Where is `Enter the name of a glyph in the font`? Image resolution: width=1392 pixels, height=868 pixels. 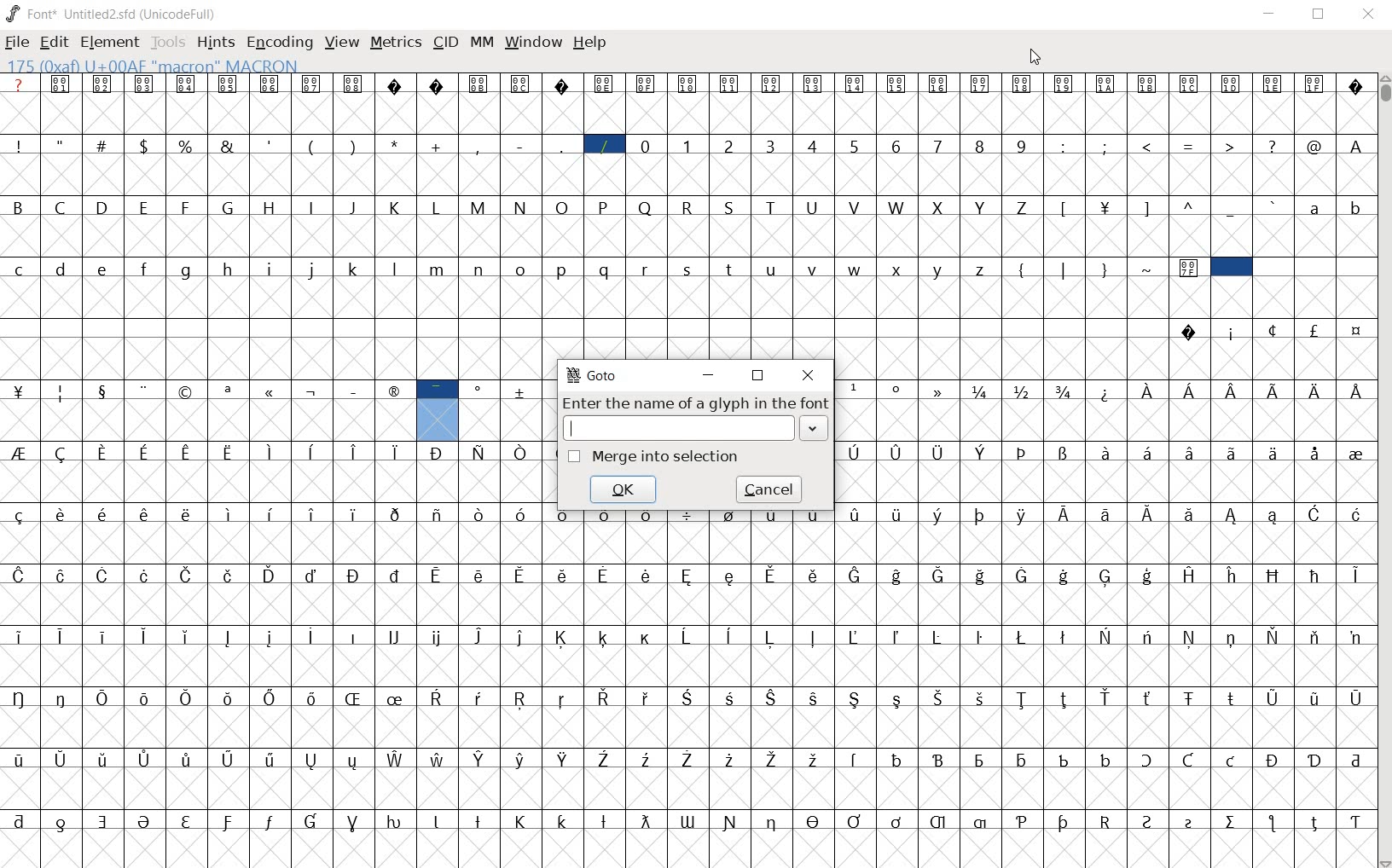 Enter the name of a glyph in the font is located at coordinates (695, 417).